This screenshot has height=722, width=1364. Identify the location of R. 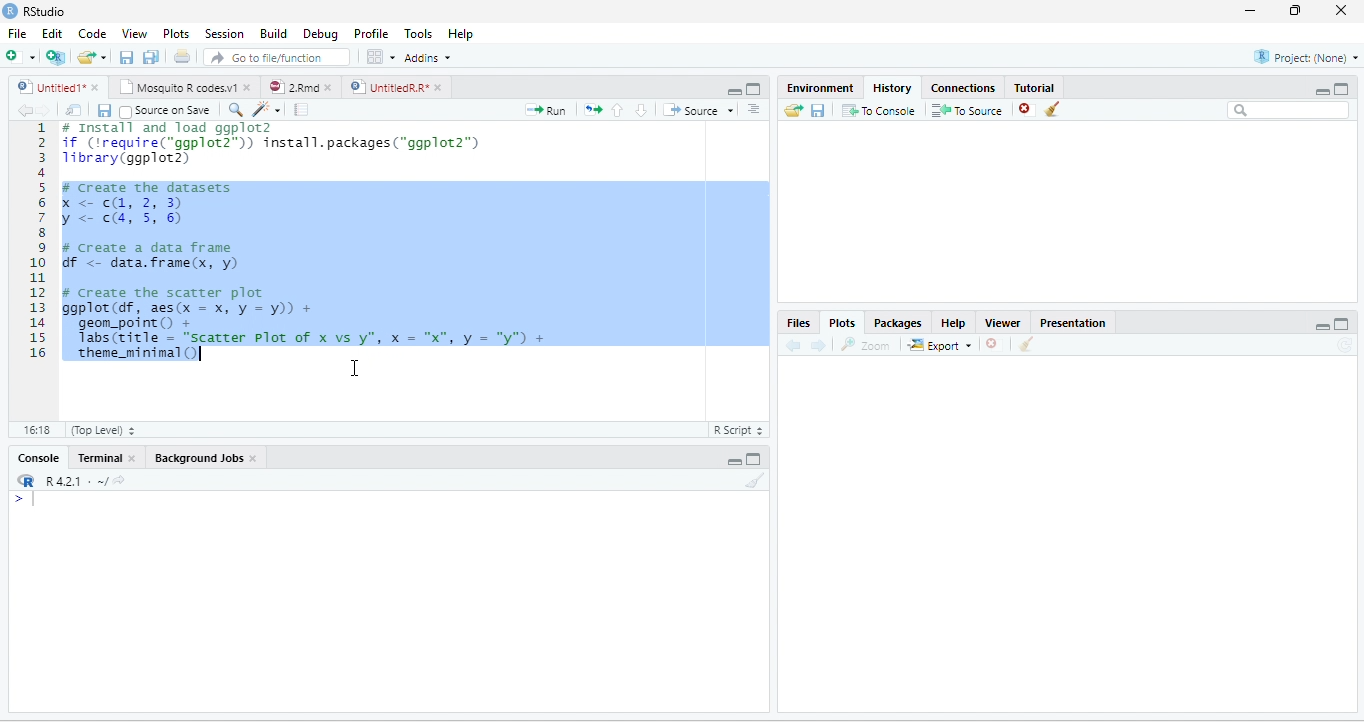
(25, 480).